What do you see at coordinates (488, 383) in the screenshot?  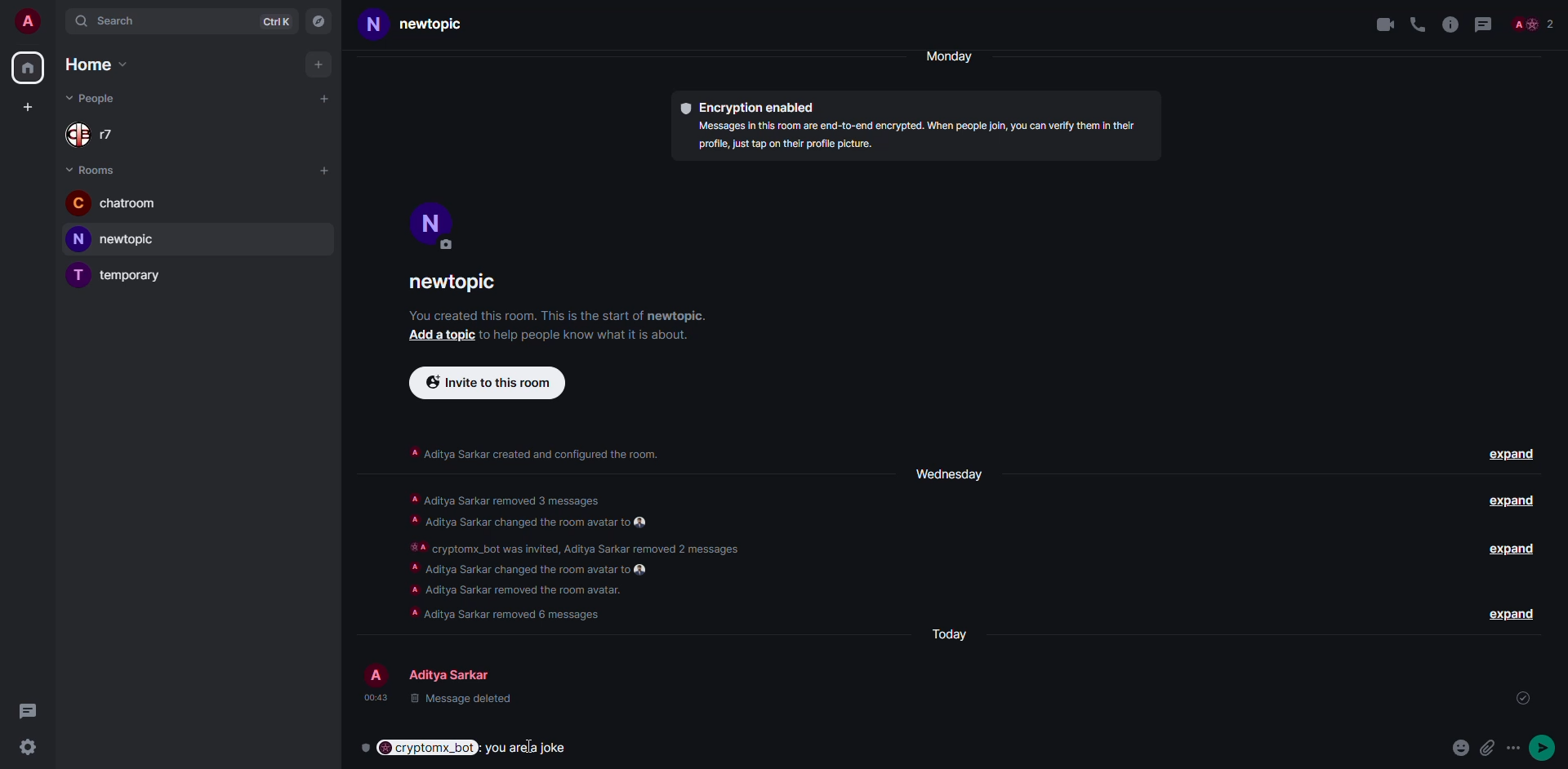 I see `invite to this room` at bounding box center [488, 383].